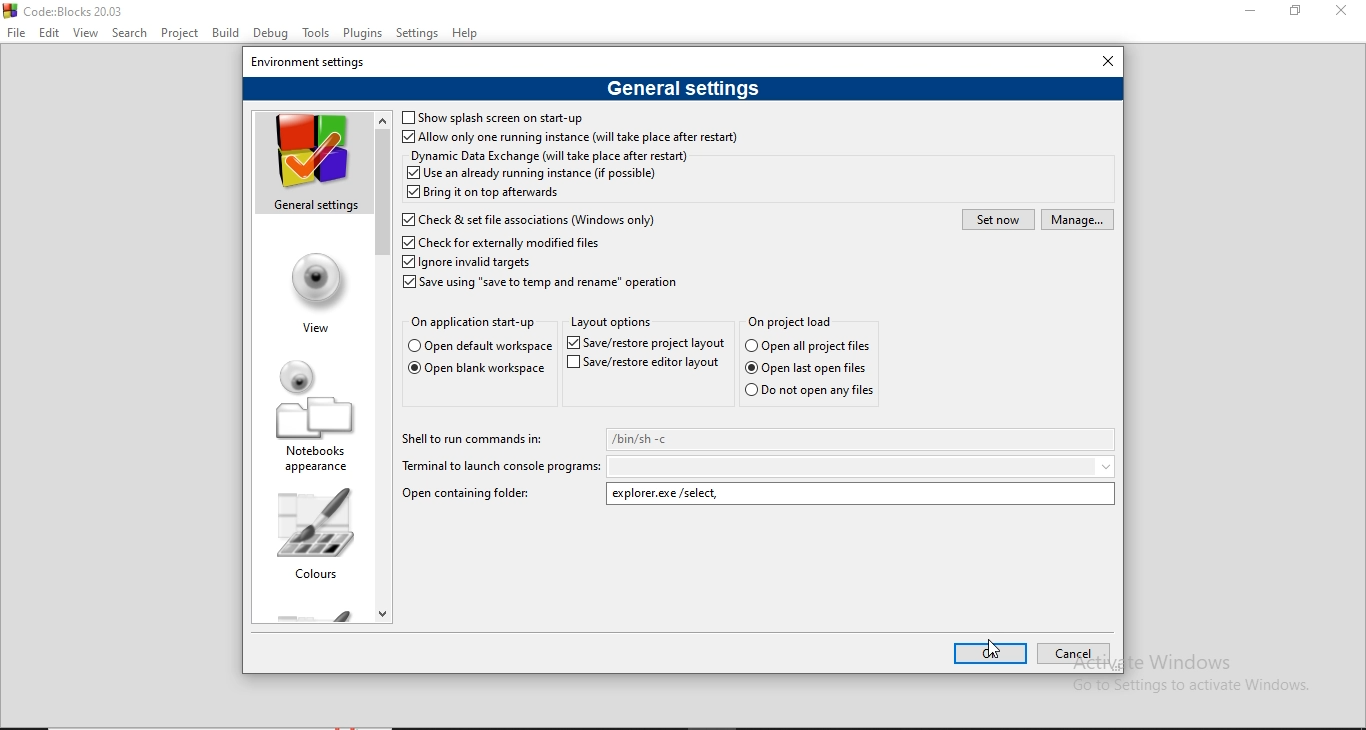  What do you see at coordinates (646, 342) in the screenshot?
I see `Save/restore editor layout` at bounding box center [646, 342].